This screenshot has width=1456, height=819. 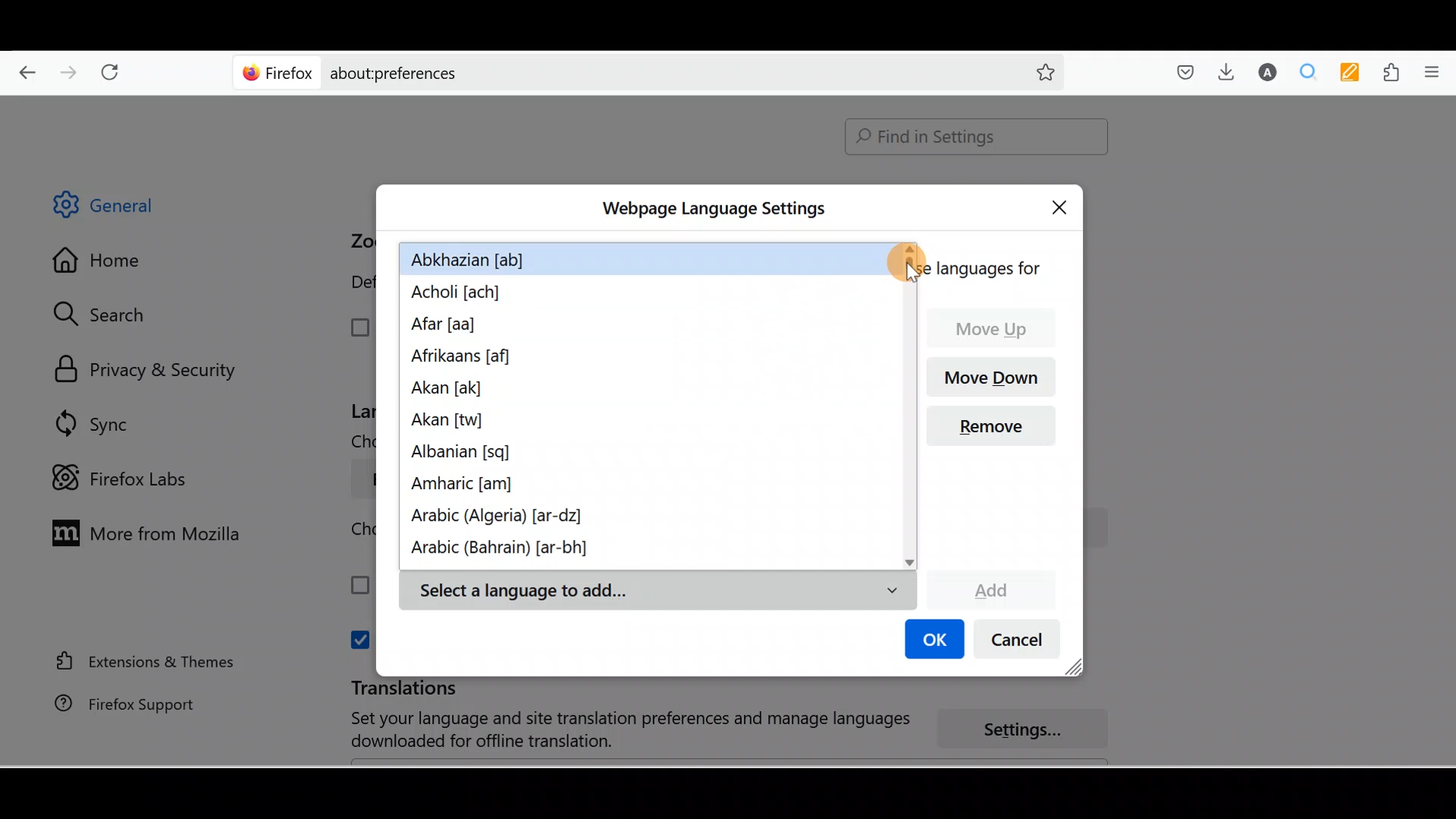 What do you see at coordinates (605, 71) in the screenshot?
I see `about:preferences` at bounding box center [605, 71].